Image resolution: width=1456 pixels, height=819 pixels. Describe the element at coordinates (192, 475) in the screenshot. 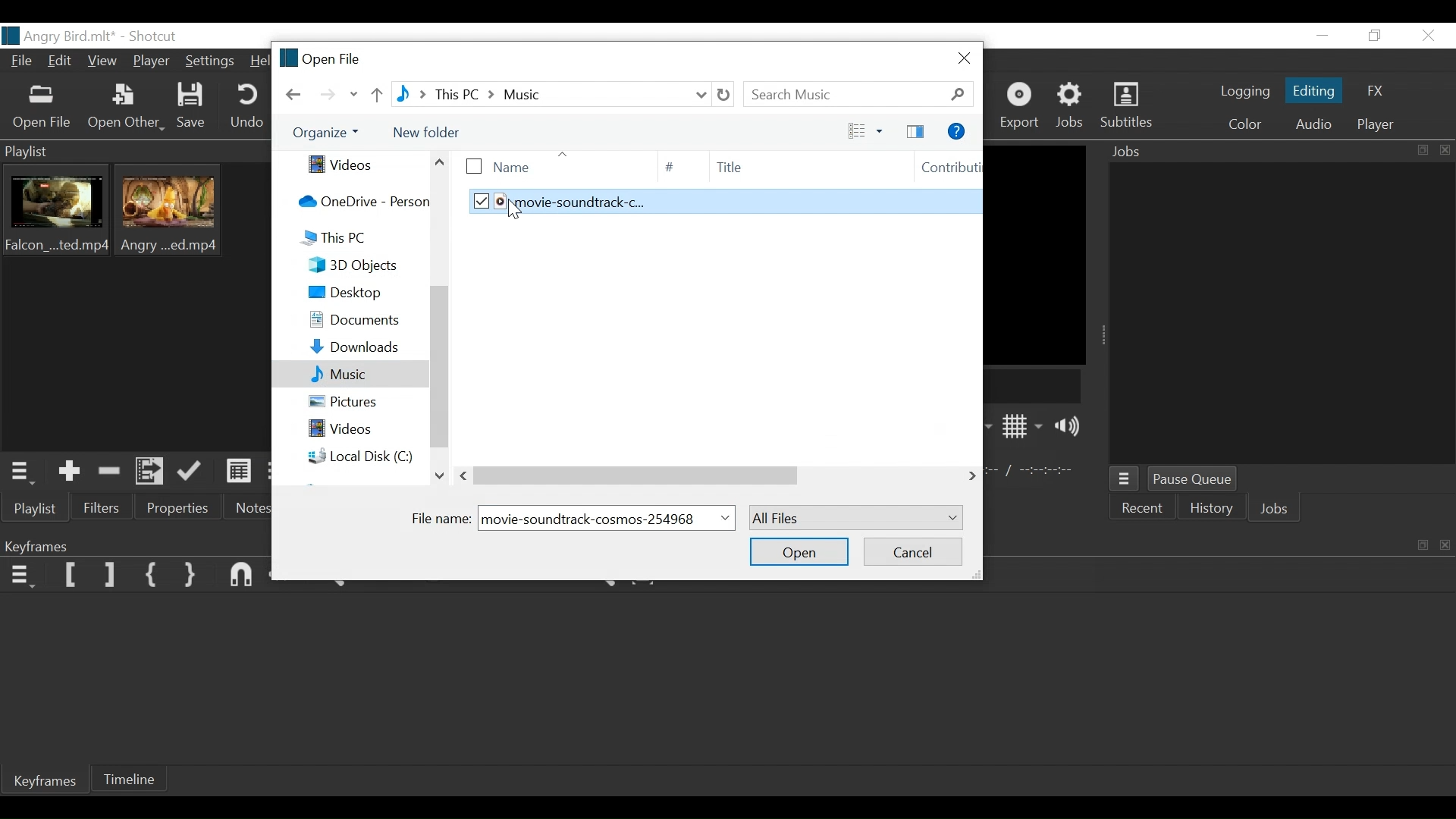

I see `Update` at that location.